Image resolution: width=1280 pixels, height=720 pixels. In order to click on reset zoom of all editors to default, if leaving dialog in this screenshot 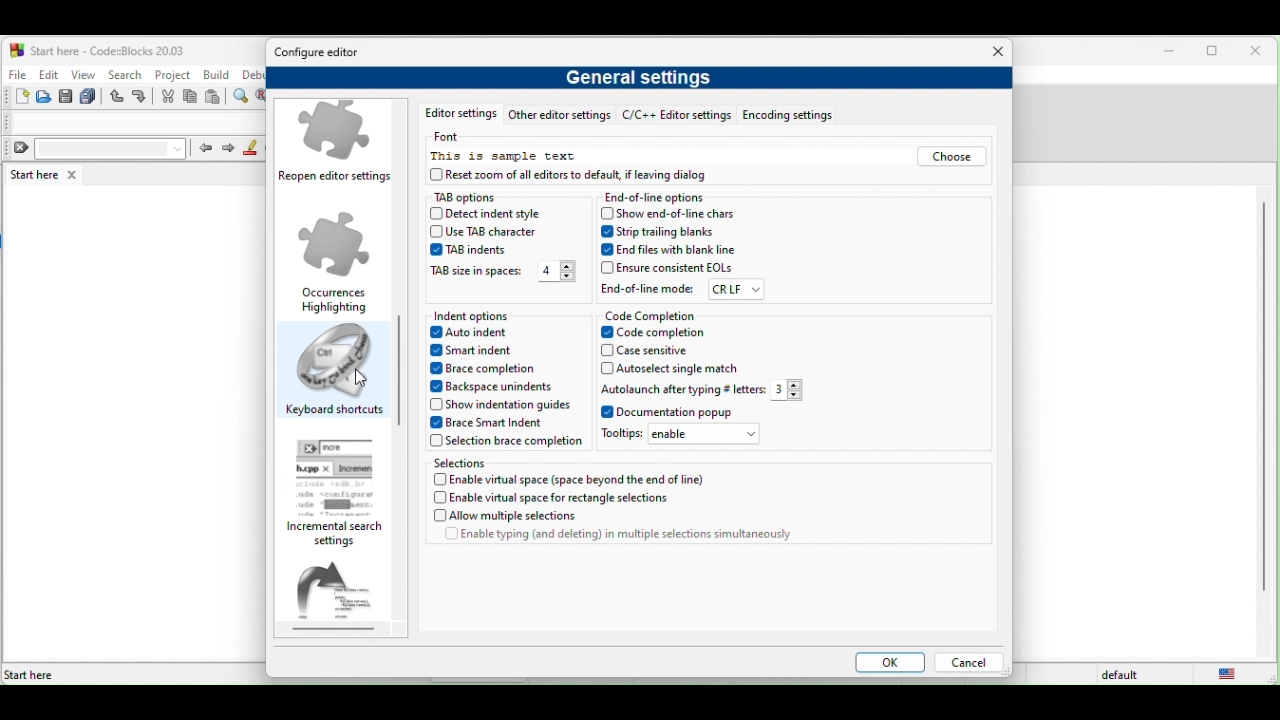, I will do `click(589, 177)`.